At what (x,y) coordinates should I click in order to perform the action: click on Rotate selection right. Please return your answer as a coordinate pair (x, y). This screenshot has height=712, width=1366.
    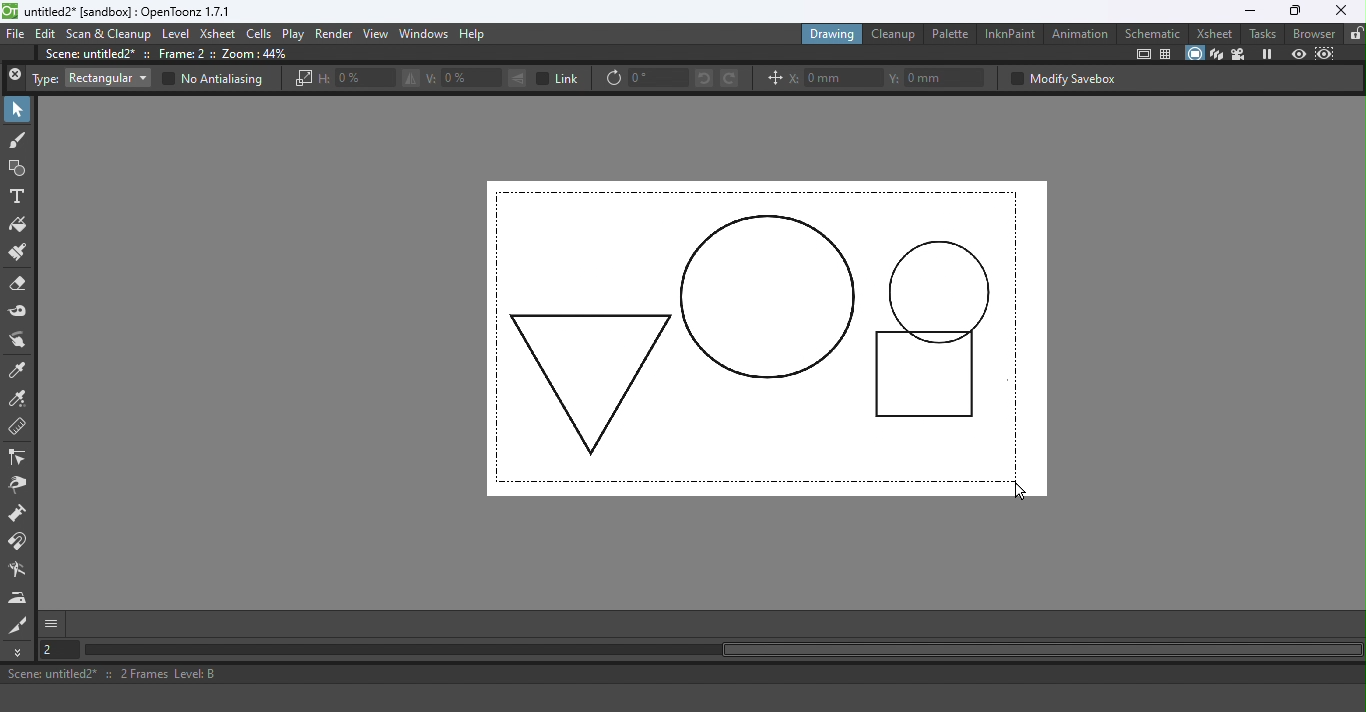
    Looking at the image, I should click on (730, 77).